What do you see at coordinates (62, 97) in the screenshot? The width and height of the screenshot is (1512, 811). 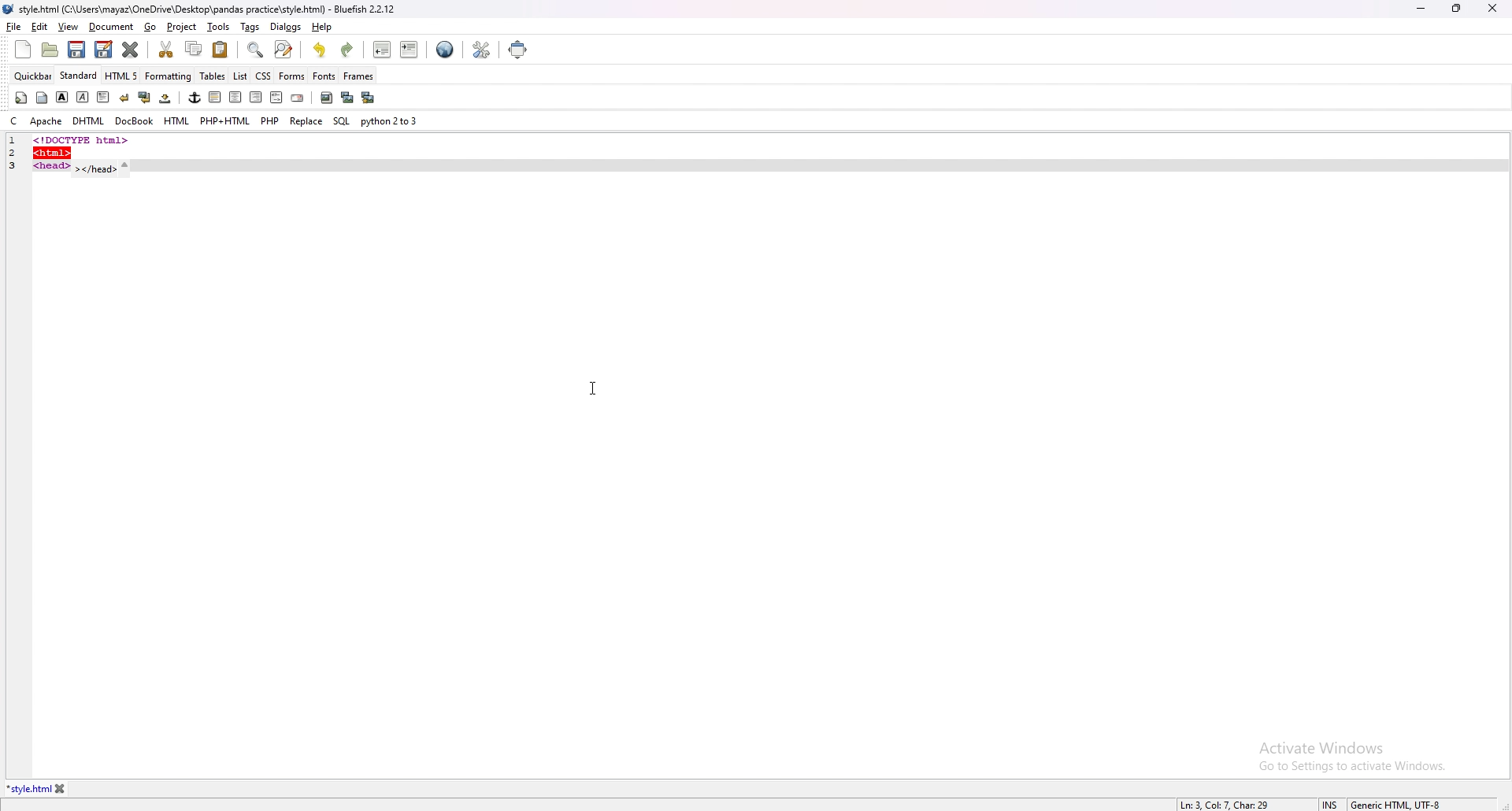 I see `bold` at bounding box center [62, 97].